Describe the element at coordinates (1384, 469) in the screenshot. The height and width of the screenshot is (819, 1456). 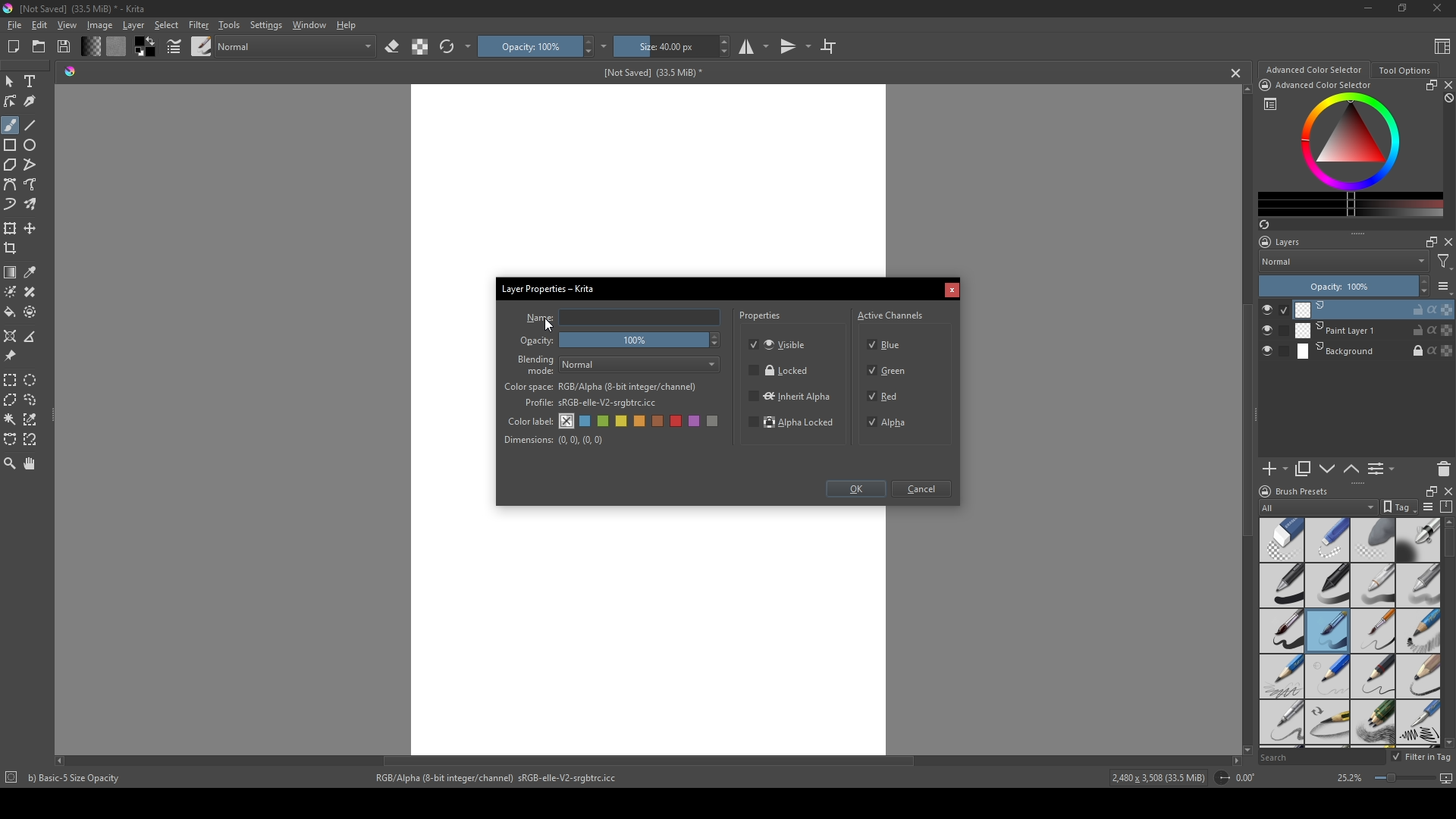
I see `List` at that location.